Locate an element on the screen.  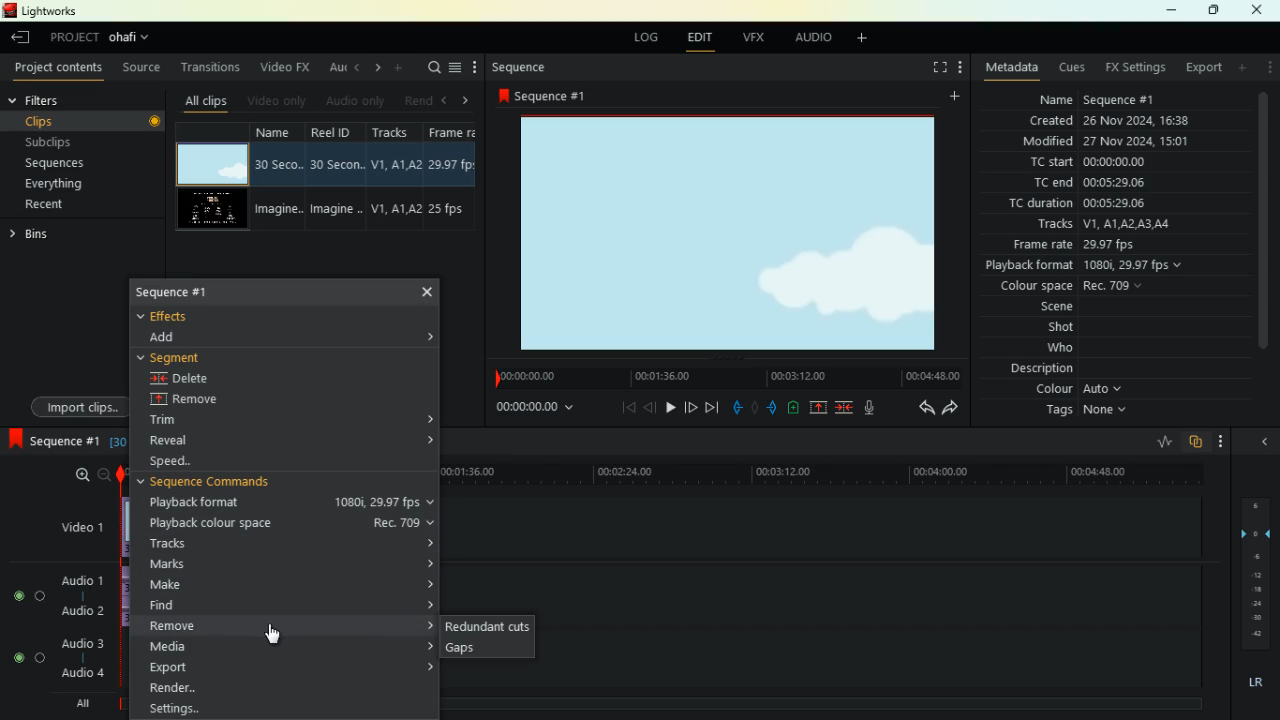
add is located at coordinates (952, 99).